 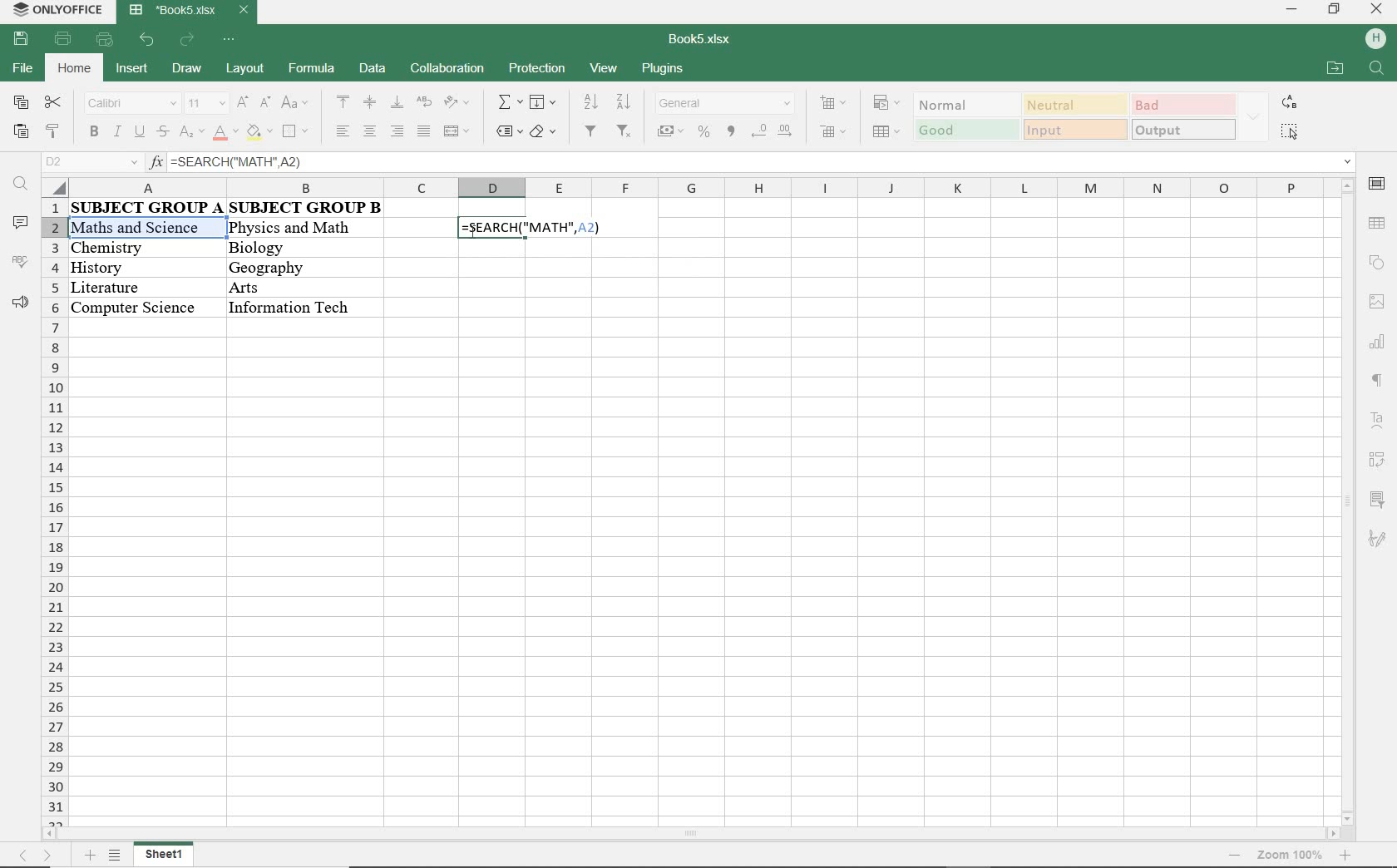 What do you see at coordinates (967, 131) in the screenshot?
I see `good` at bounding box center [967, 131].